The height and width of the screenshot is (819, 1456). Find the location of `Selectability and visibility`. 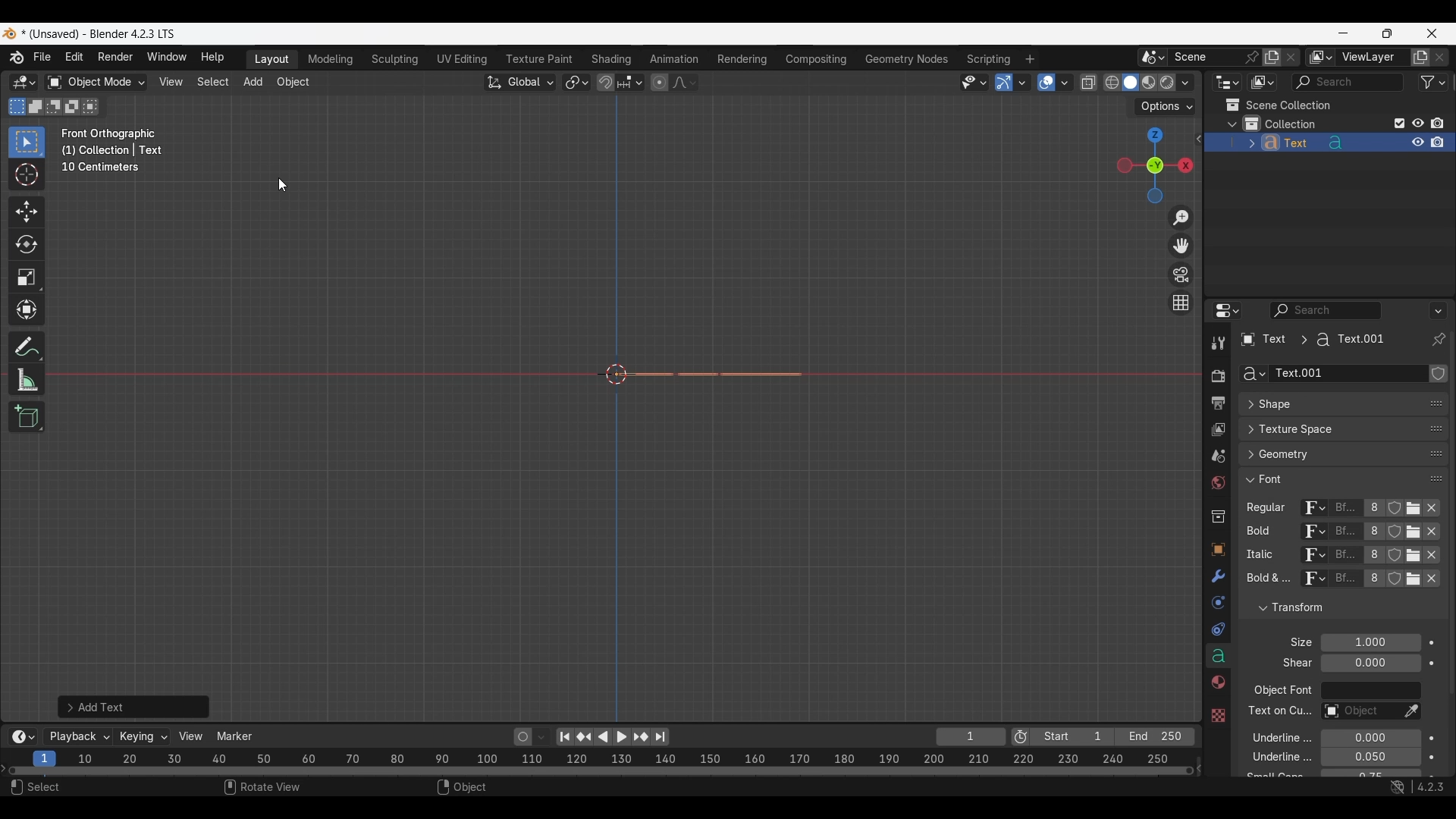

Selectability and visibility is located at coordinates (974, 83).